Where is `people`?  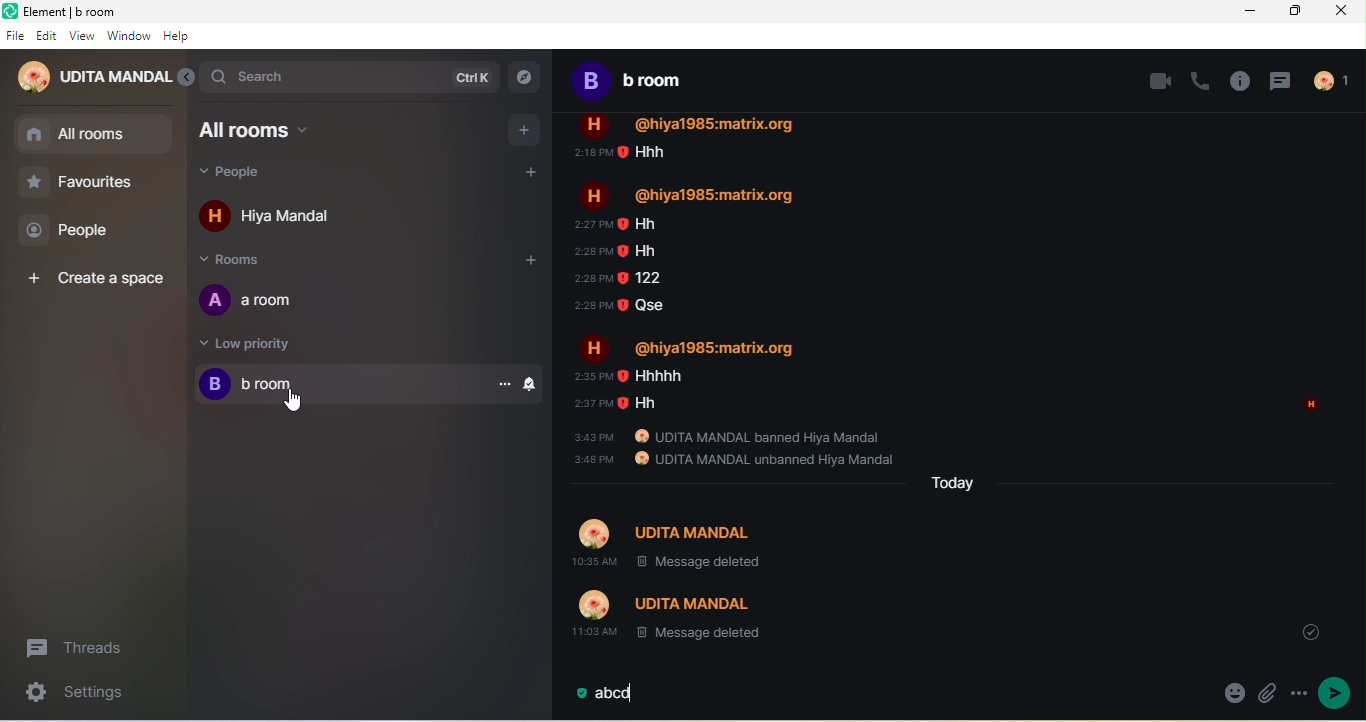
people is located at coordinates (1331, 80).